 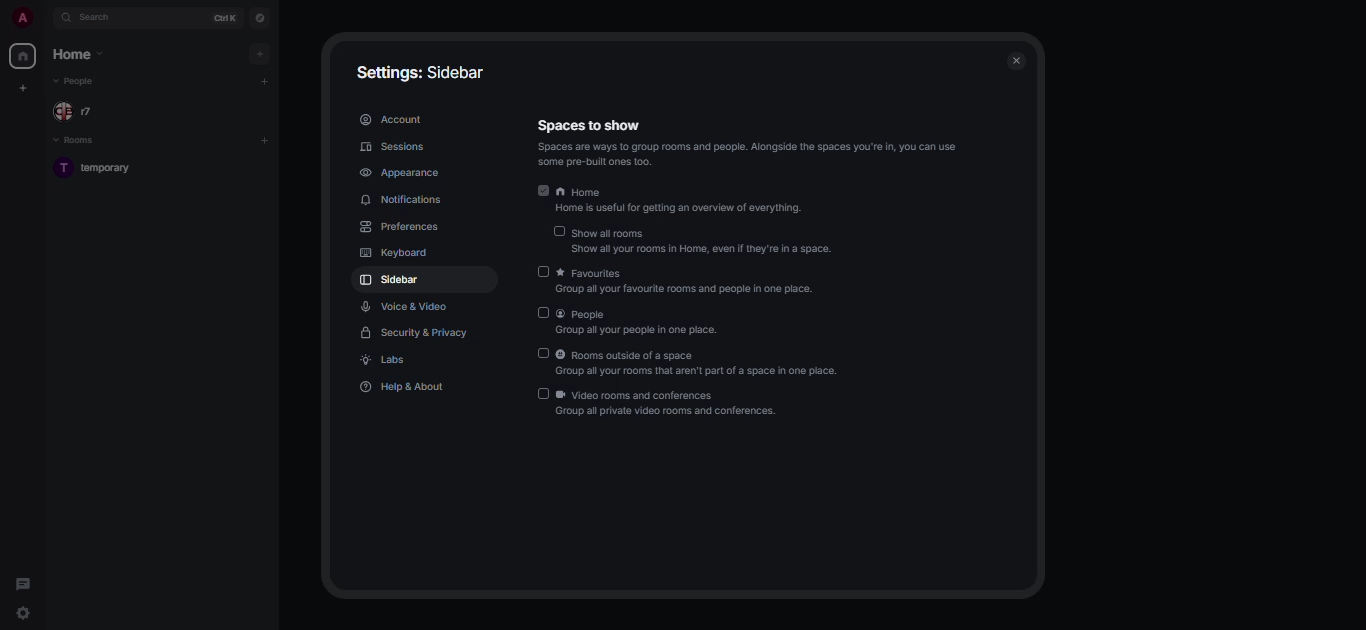 What do you see at coordinates (397, 175) in the screenshot?
I see `appearance` at bounding box center [397, 175].